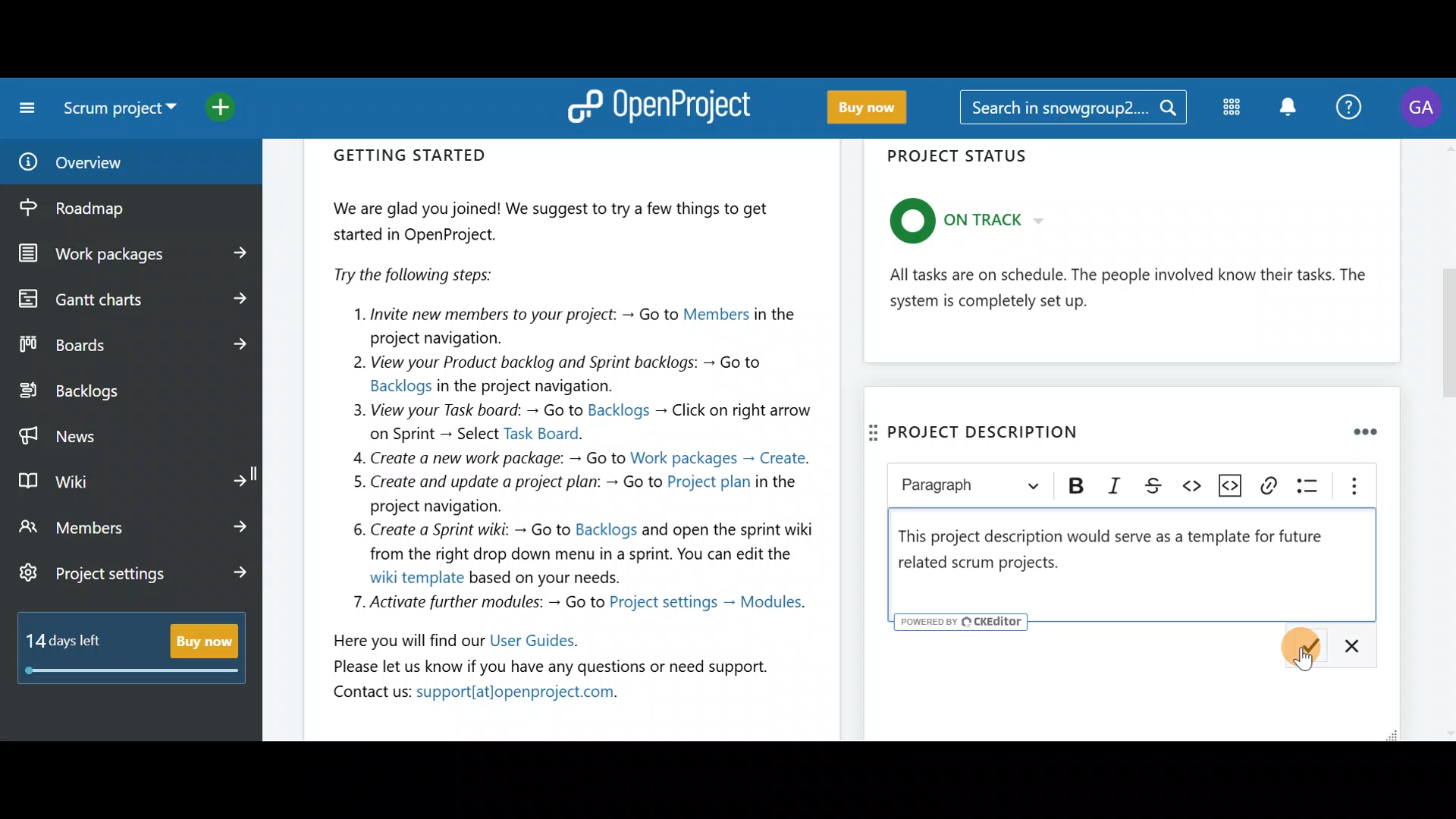 The width and height of the screenshot is (1456, 819). Describe the element at coordinates (664, 105) in the screenshot. I see `OpenProject` at that location.